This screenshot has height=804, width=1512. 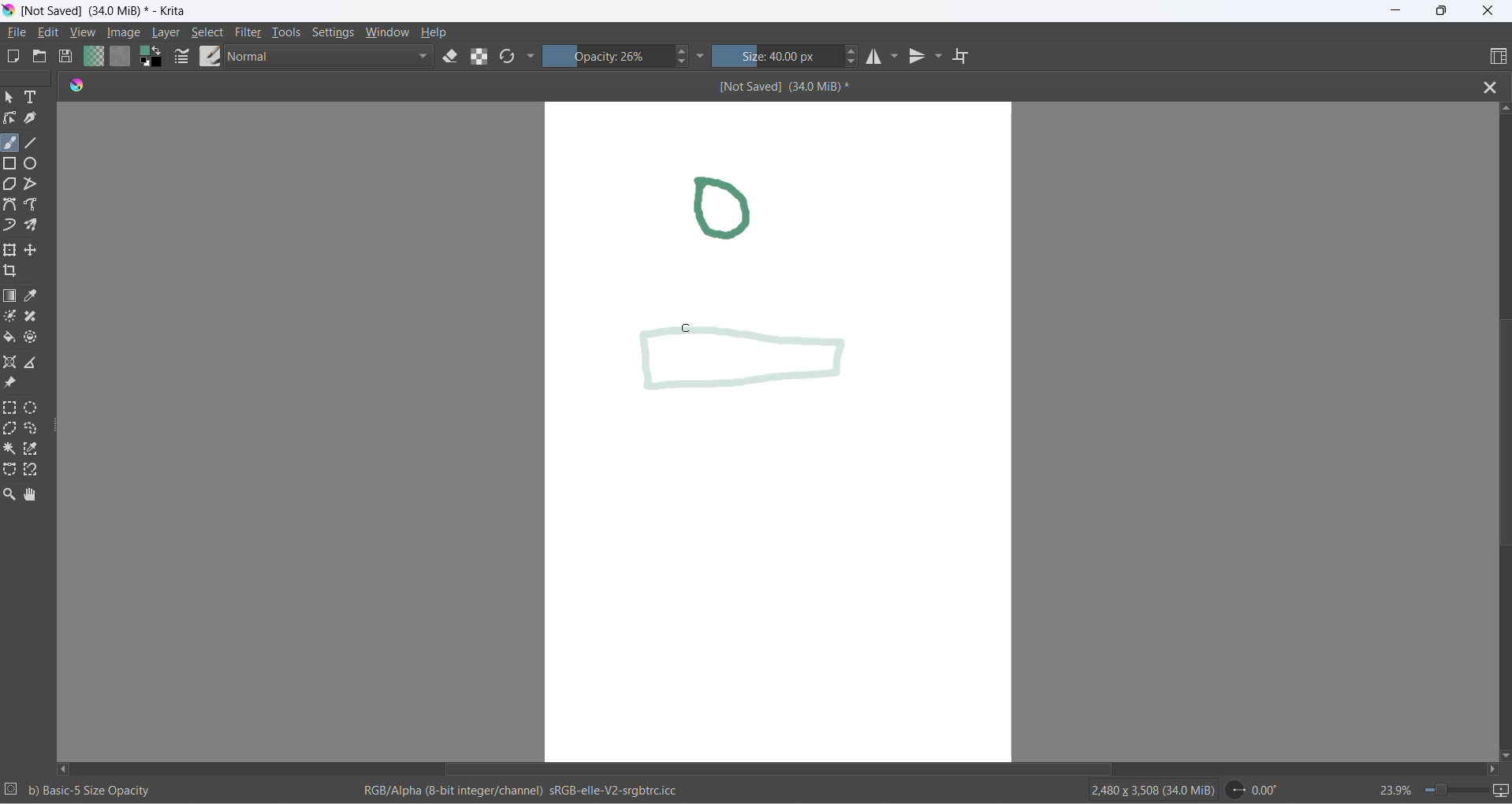 What do you see at coordinates (1386, 788) in the screenshot?
I see `zoom percentage` at bounding box center [1386, 788].